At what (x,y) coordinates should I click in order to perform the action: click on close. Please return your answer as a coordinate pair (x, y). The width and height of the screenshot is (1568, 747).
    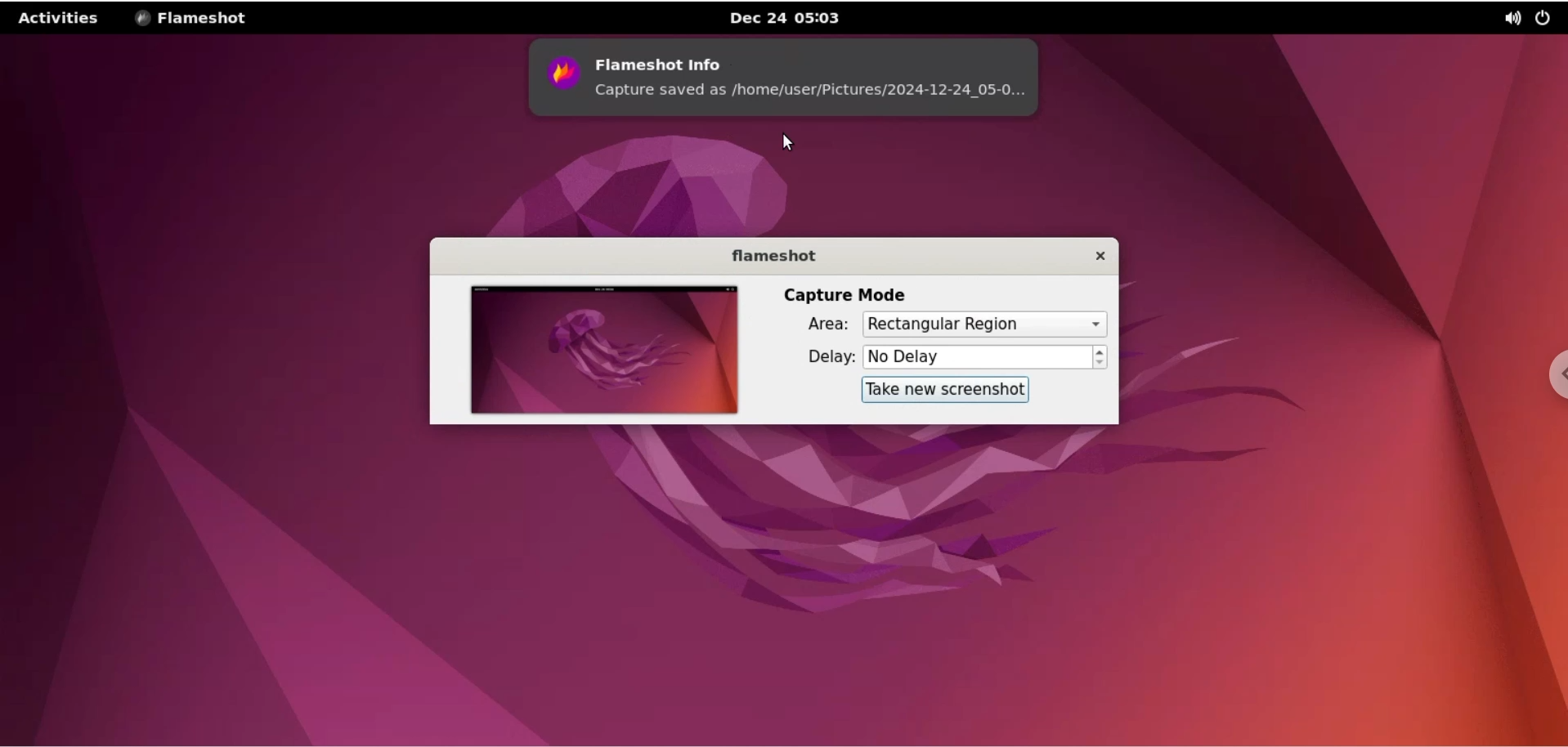
    Looking at the image, I should click on (1087, 257).